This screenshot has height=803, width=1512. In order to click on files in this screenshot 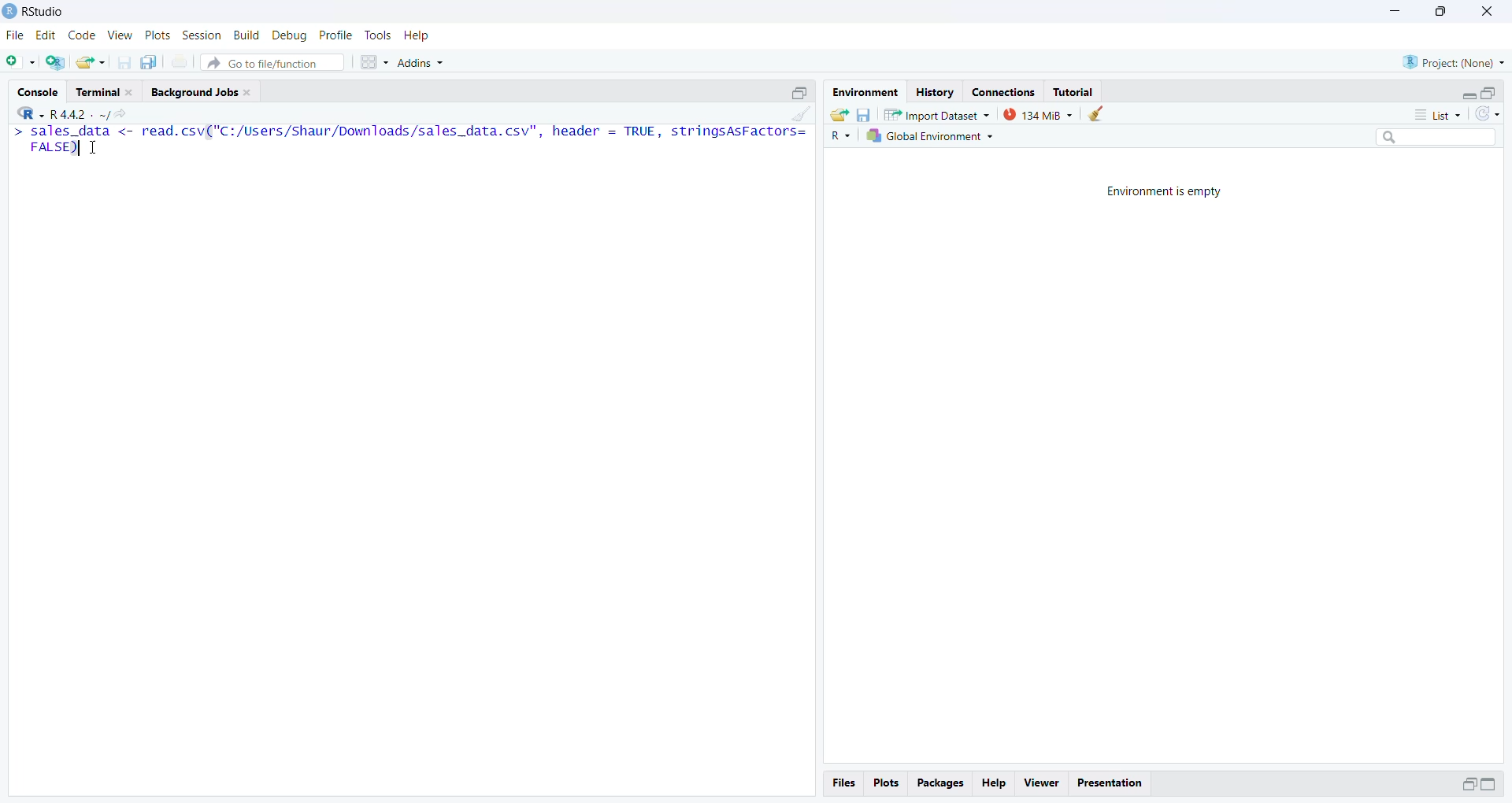, I will do `click(844, 784)`.